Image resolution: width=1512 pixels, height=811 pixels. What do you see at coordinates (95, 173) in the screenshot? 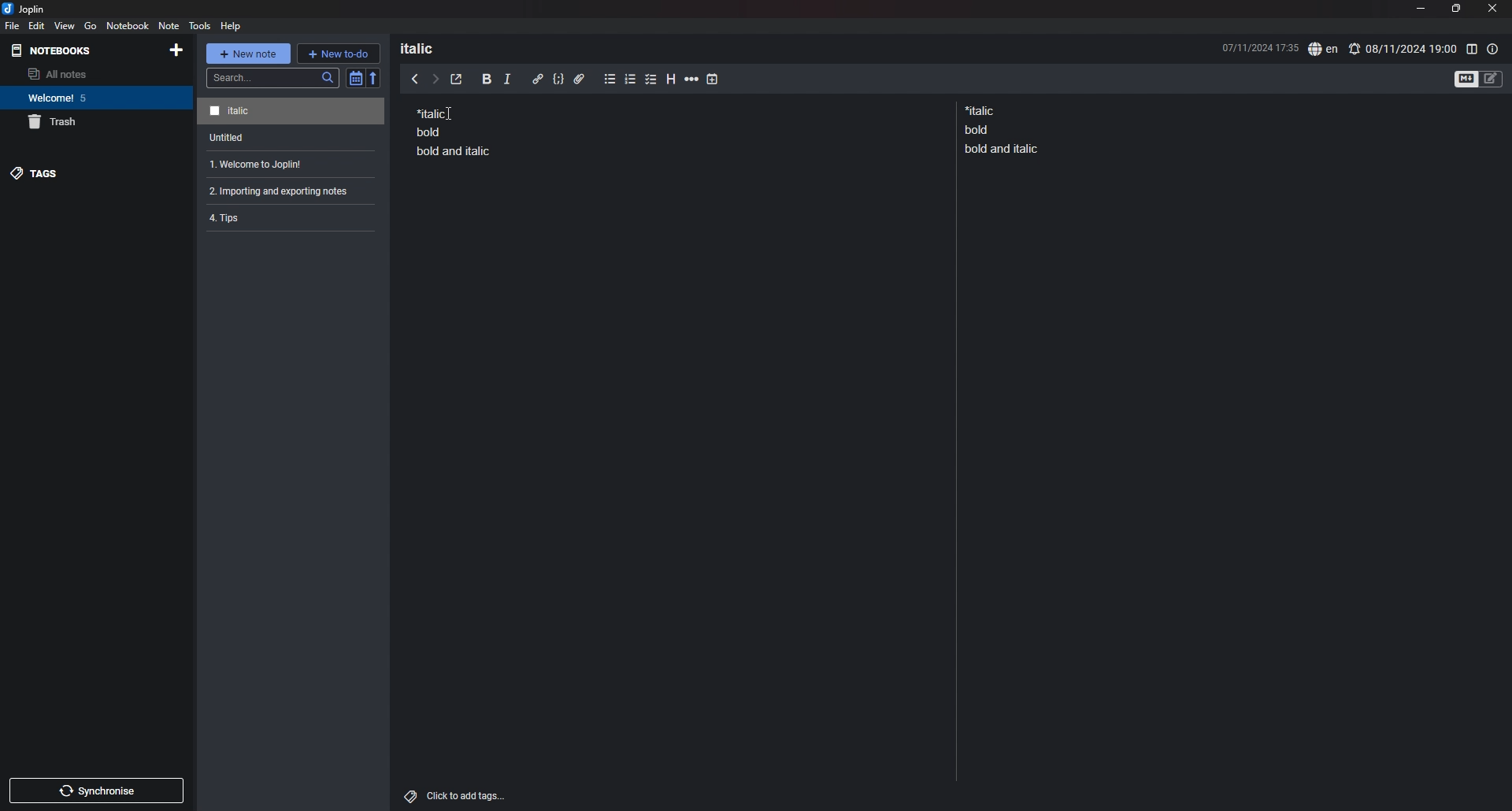
I see `tags` at bounding box center [95, 173].